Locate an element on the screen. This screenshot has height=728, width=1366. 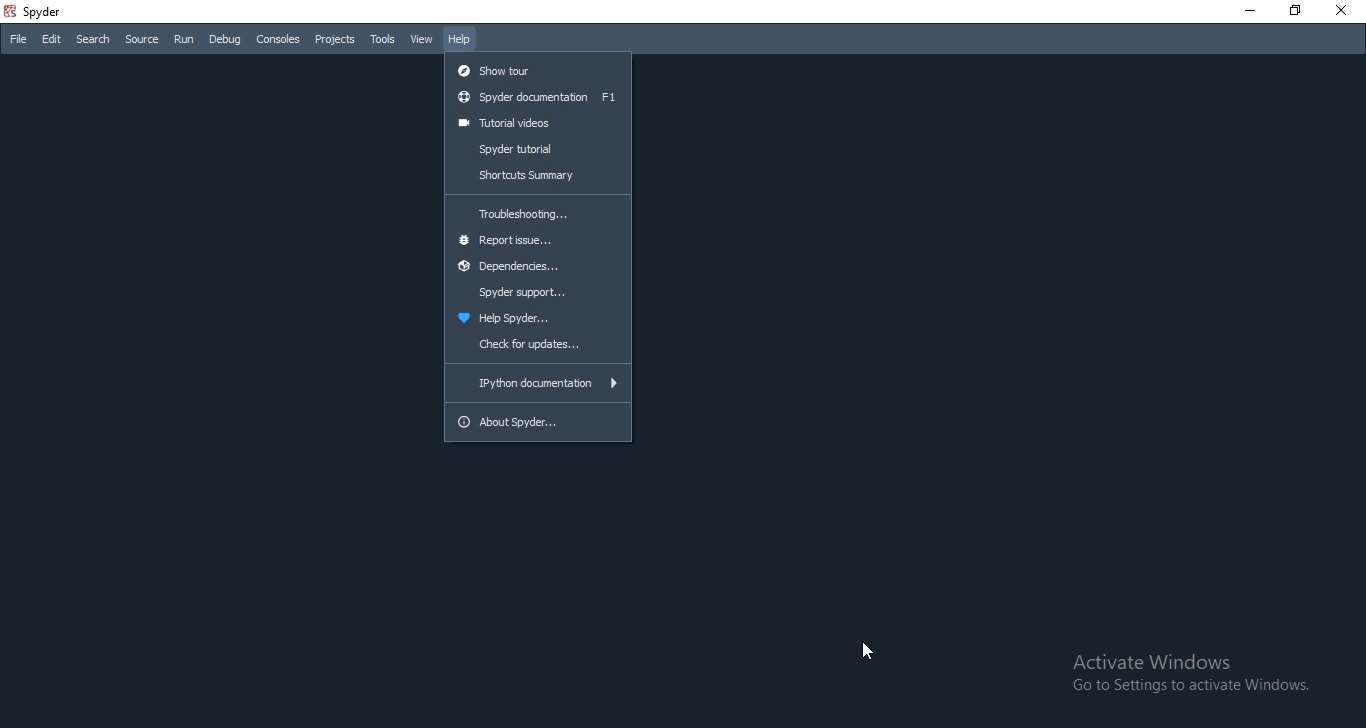
tutorial videos is located at coordinates (538, 123).